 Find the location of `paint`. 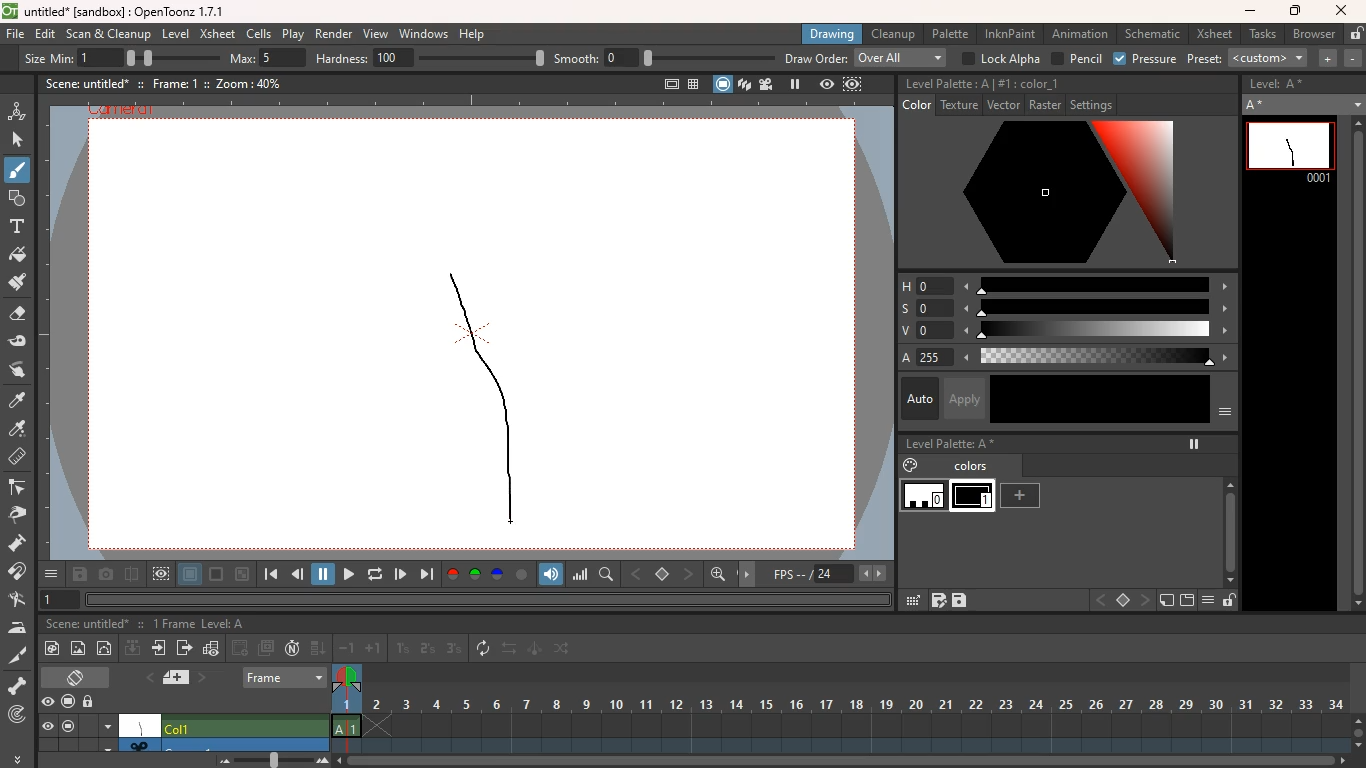

paint is located at coordinates (18, 401).